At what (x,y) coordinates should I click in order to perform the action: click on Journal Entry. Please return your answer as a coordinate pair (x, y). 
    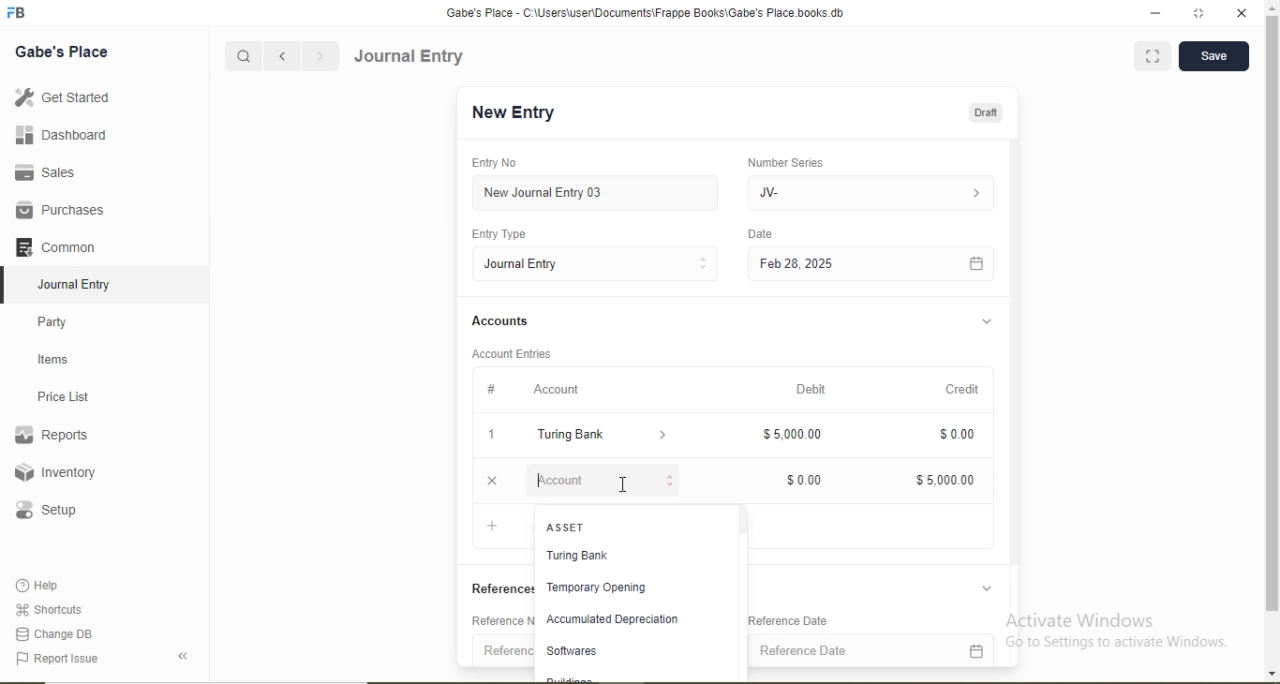
    Looking at the image, I should click on (76, 285).